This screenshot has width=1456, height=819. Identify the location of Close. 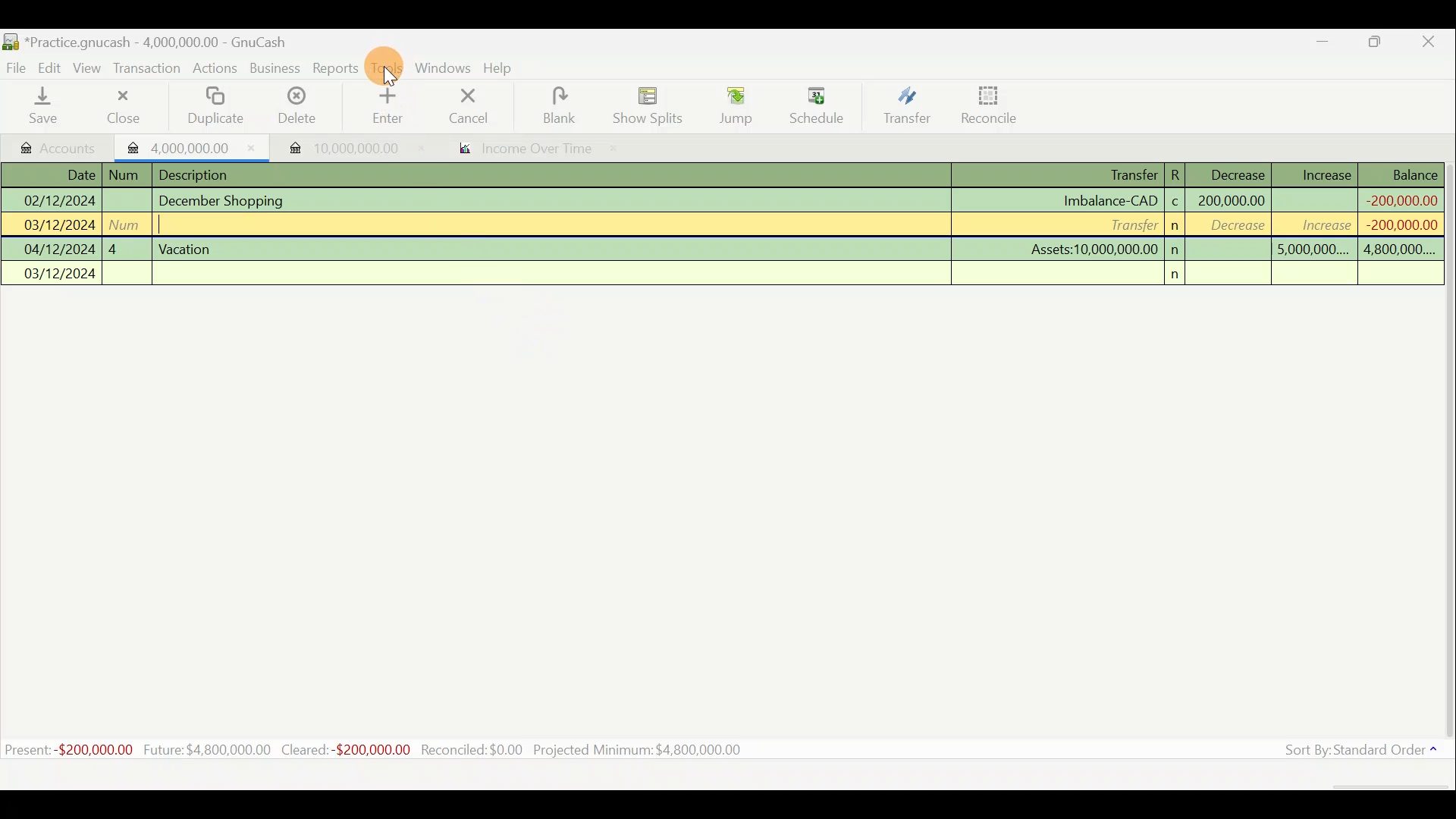
(121, 106).